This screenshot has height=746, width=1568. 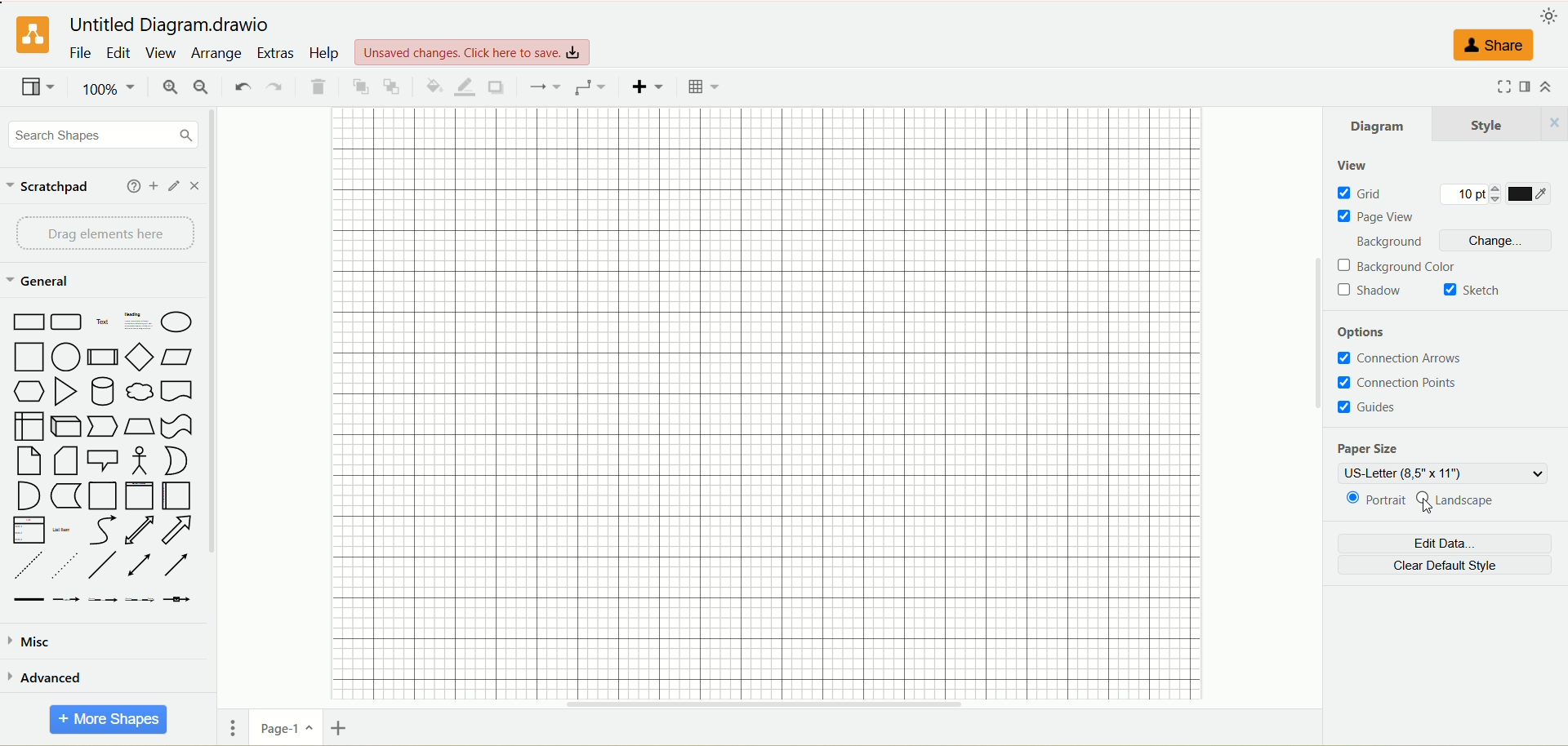 I want to click on clear default style, so click(x=1452, y=566).